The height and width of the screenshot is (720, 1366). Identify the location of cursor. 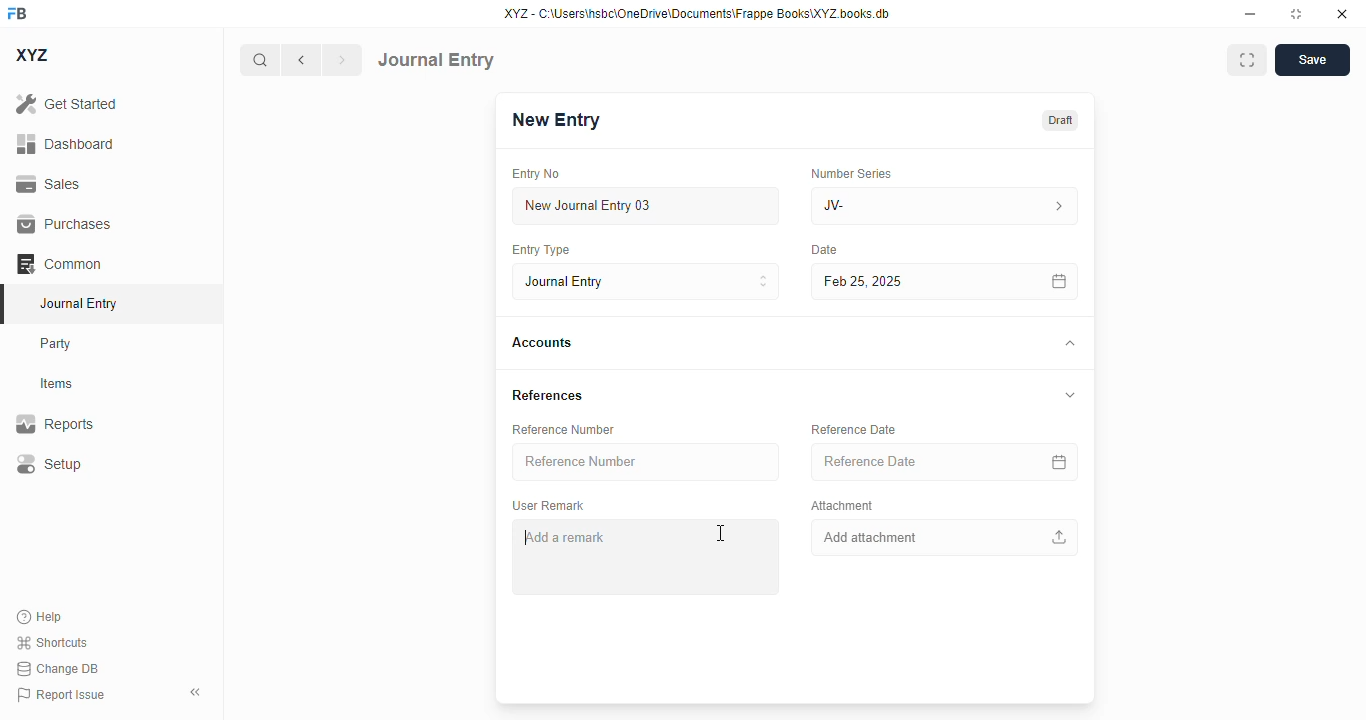
(722, 532).